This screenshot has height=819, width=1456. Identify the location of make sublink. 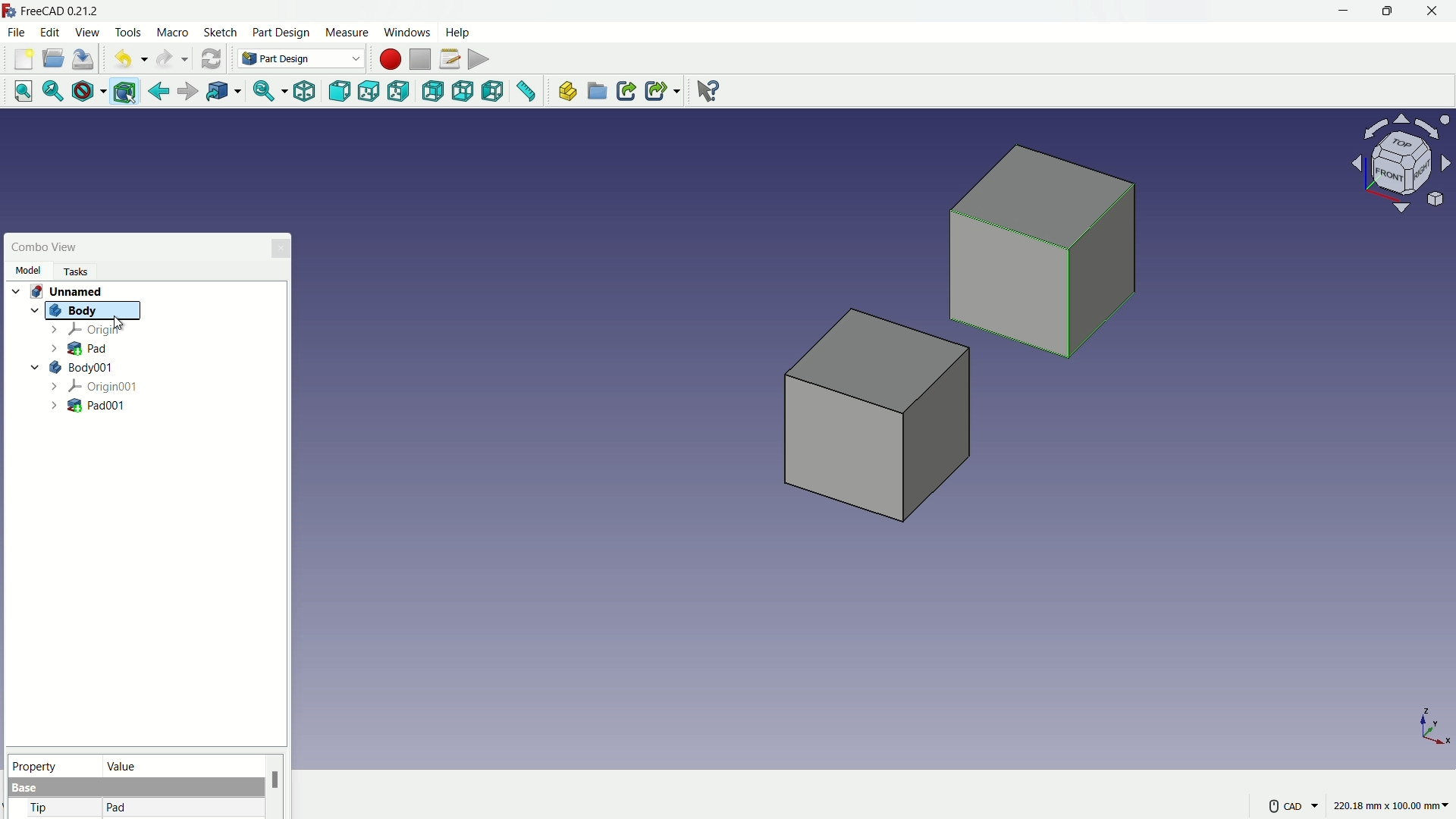
(663, 91).